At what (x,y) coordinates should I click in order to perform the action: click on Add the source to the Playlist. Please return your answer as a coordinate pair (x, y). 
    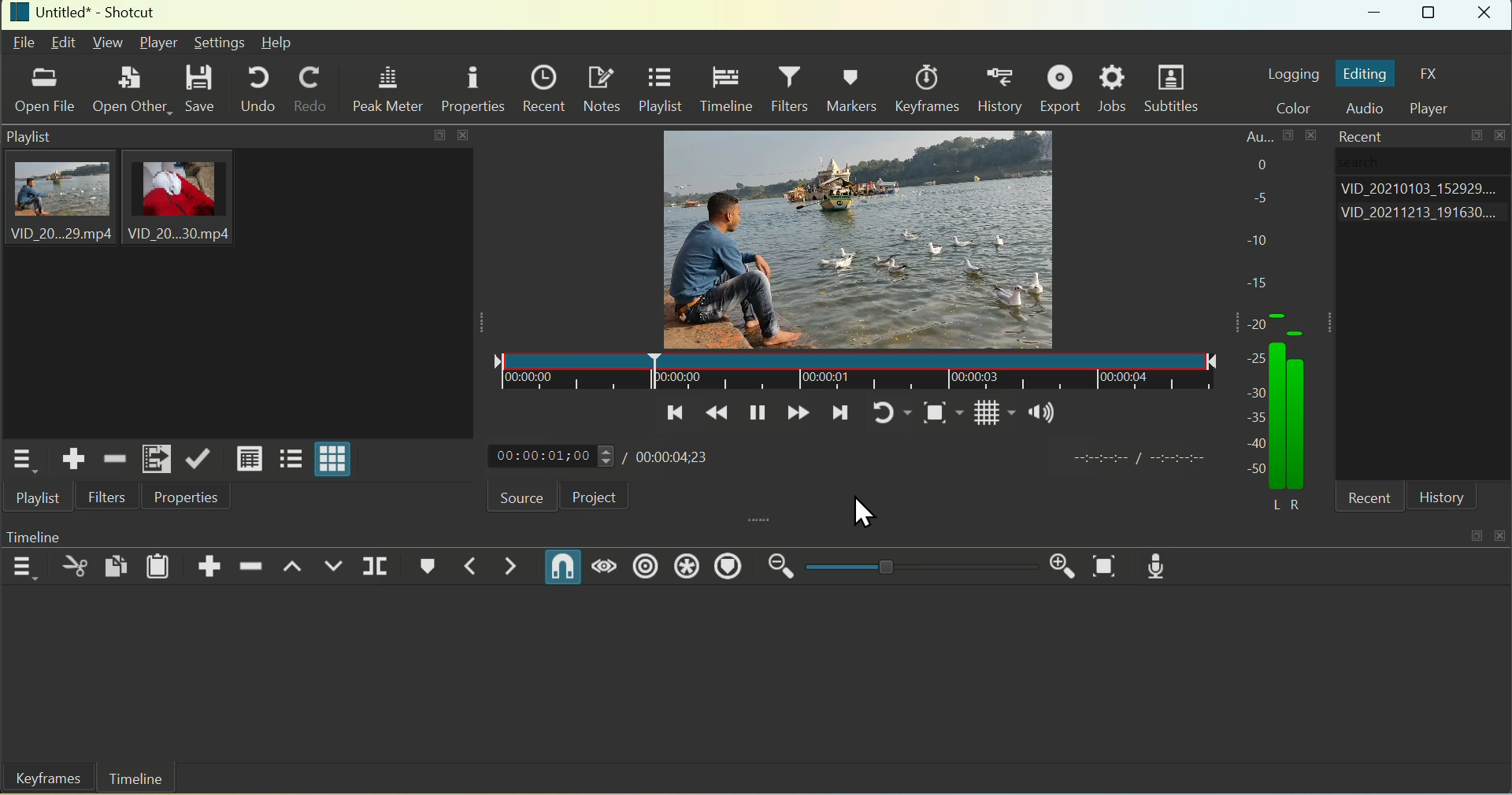
    Looking at the image, I should click on (74, 459).